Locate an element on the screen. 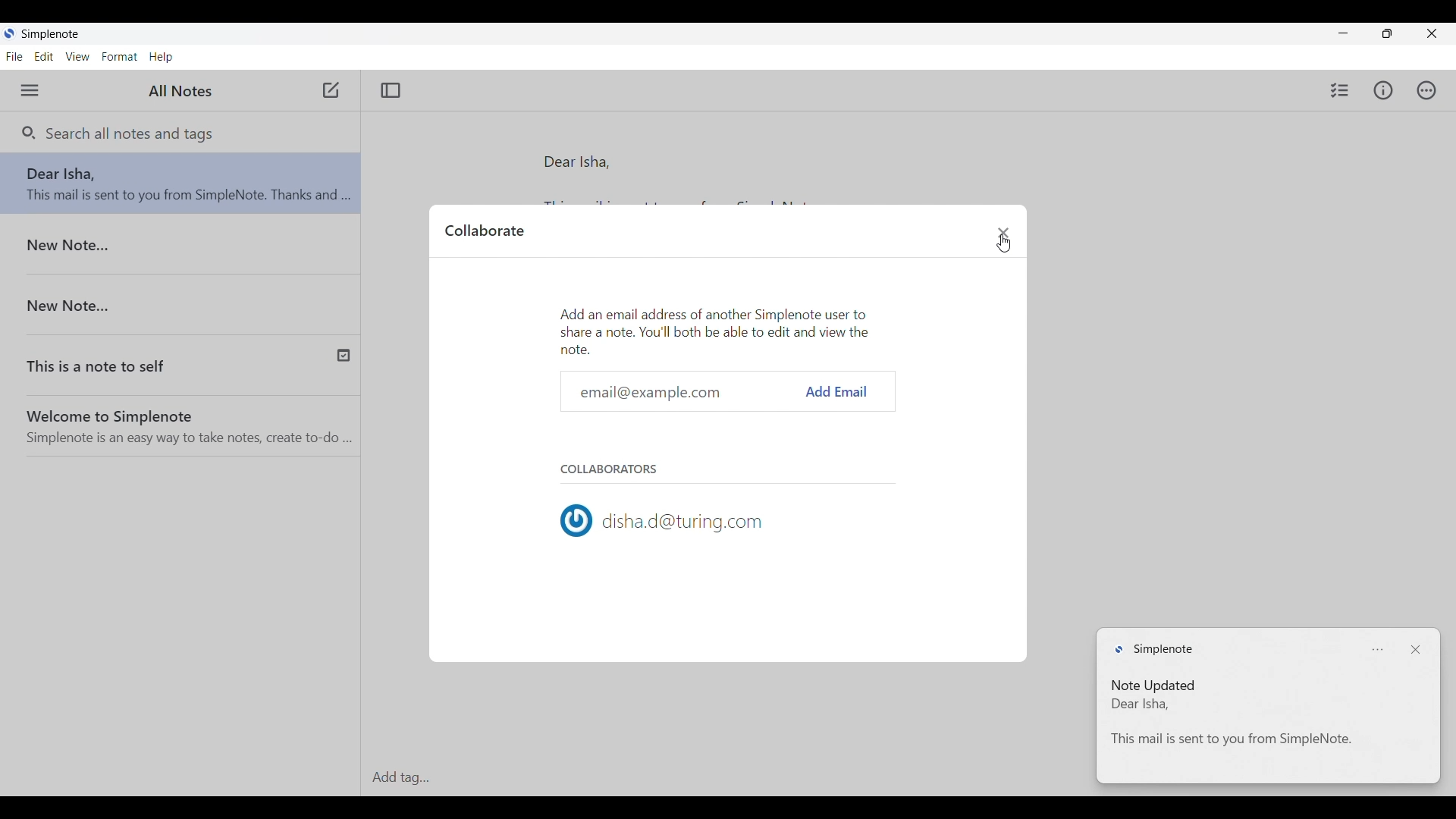 This screenshot has height=819, width=1456. Note-Dear Disha is located at coordinates (185, 187).